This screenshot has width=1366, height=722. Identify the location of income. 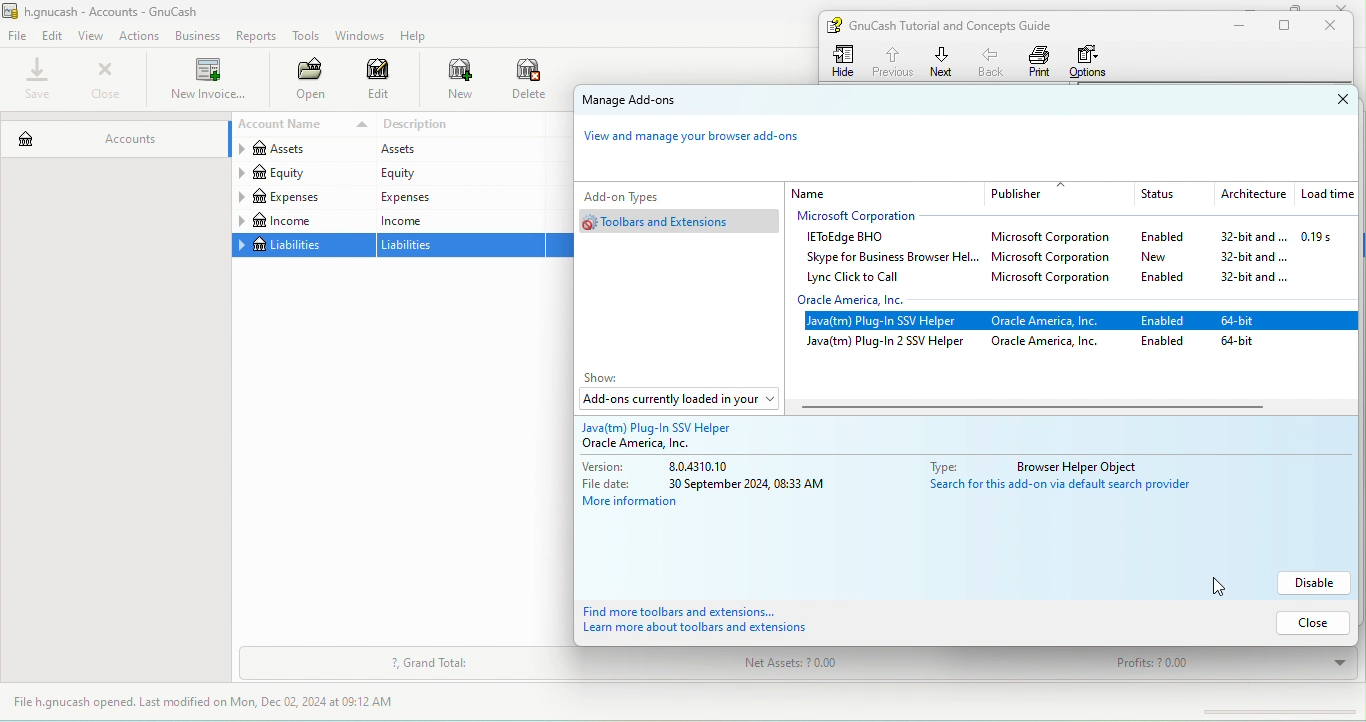
(458, 220).